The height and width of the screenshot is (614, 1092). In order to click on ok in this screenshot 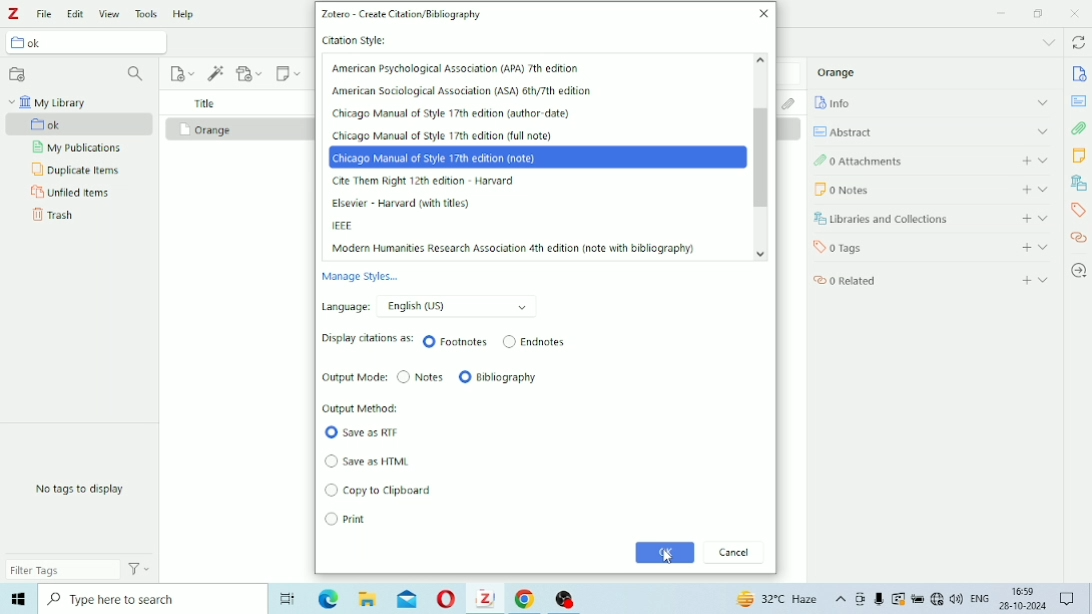, I will do `click(91, 44)`.